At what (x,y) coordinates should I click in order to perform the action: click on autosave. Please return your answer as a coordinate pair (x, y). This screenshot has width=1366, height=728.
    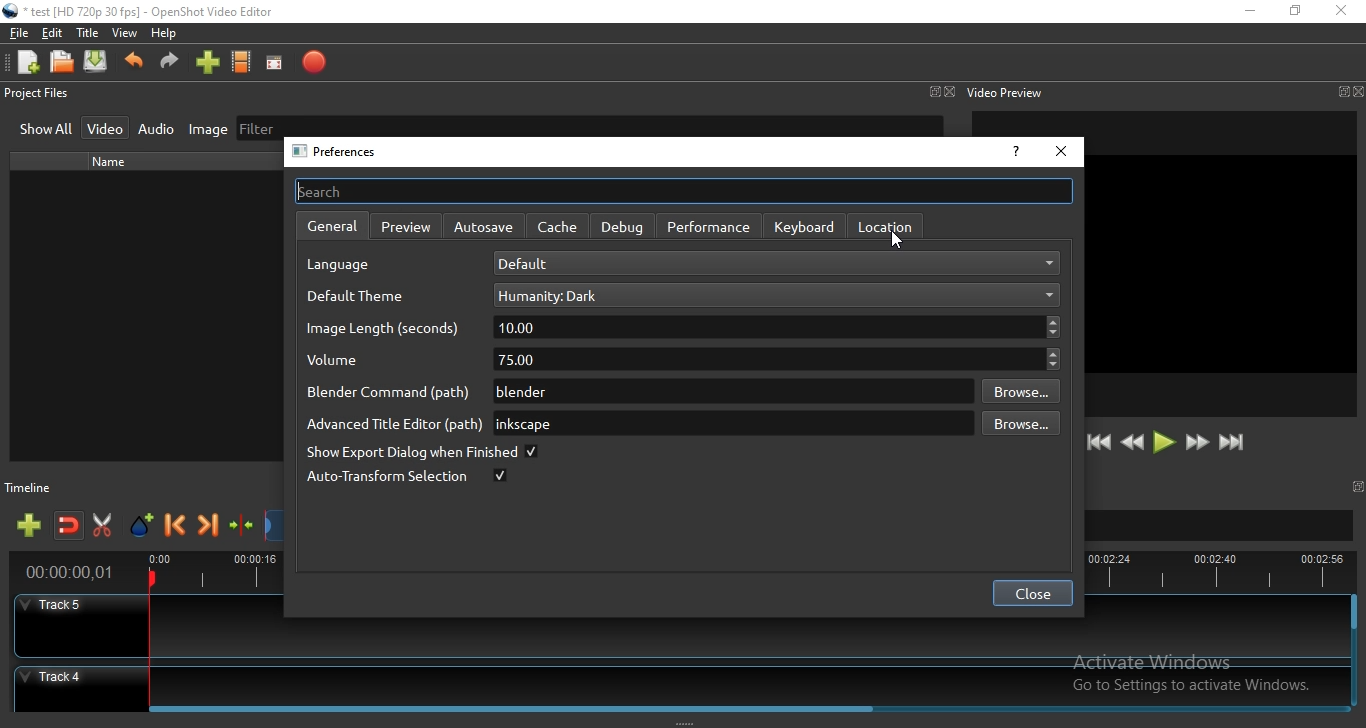
    Looking at the image, I should click on (487, 227).